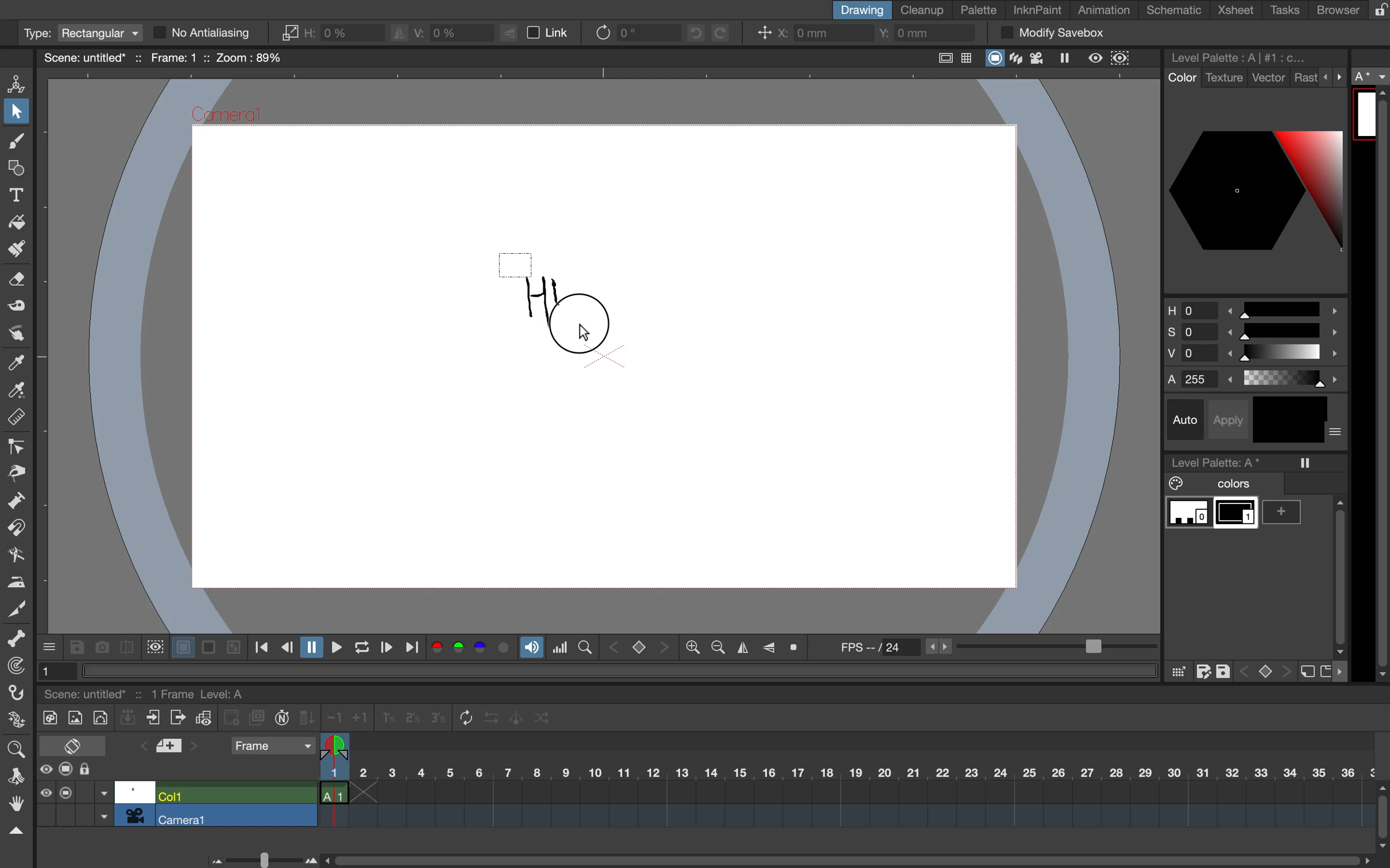  Describe the element at coordinates (692, 33) in the screenshot. I see `undo` at that location.